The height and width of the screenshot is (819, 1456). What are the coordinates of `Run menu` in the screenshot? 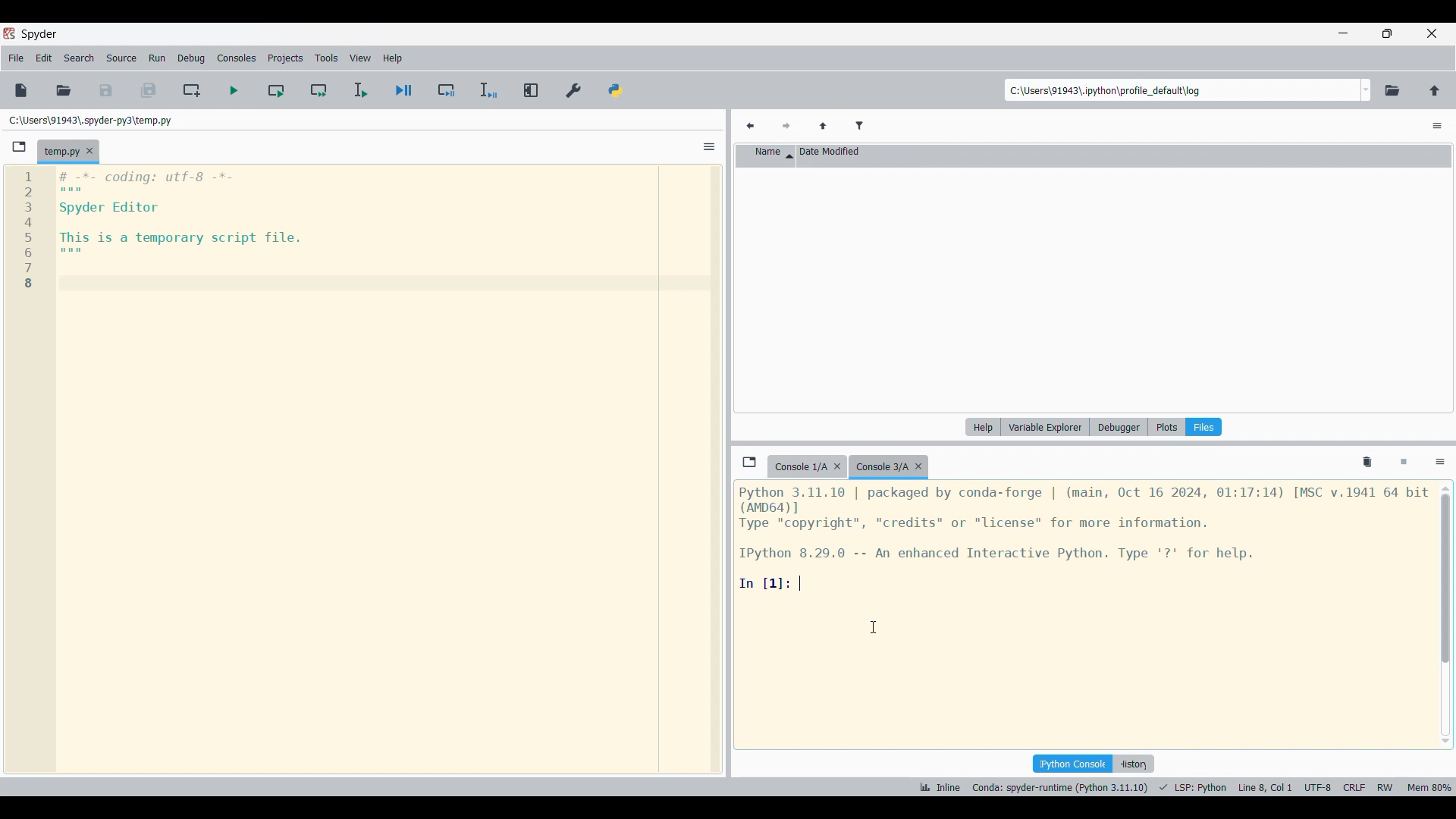 It's located at (157, 58).